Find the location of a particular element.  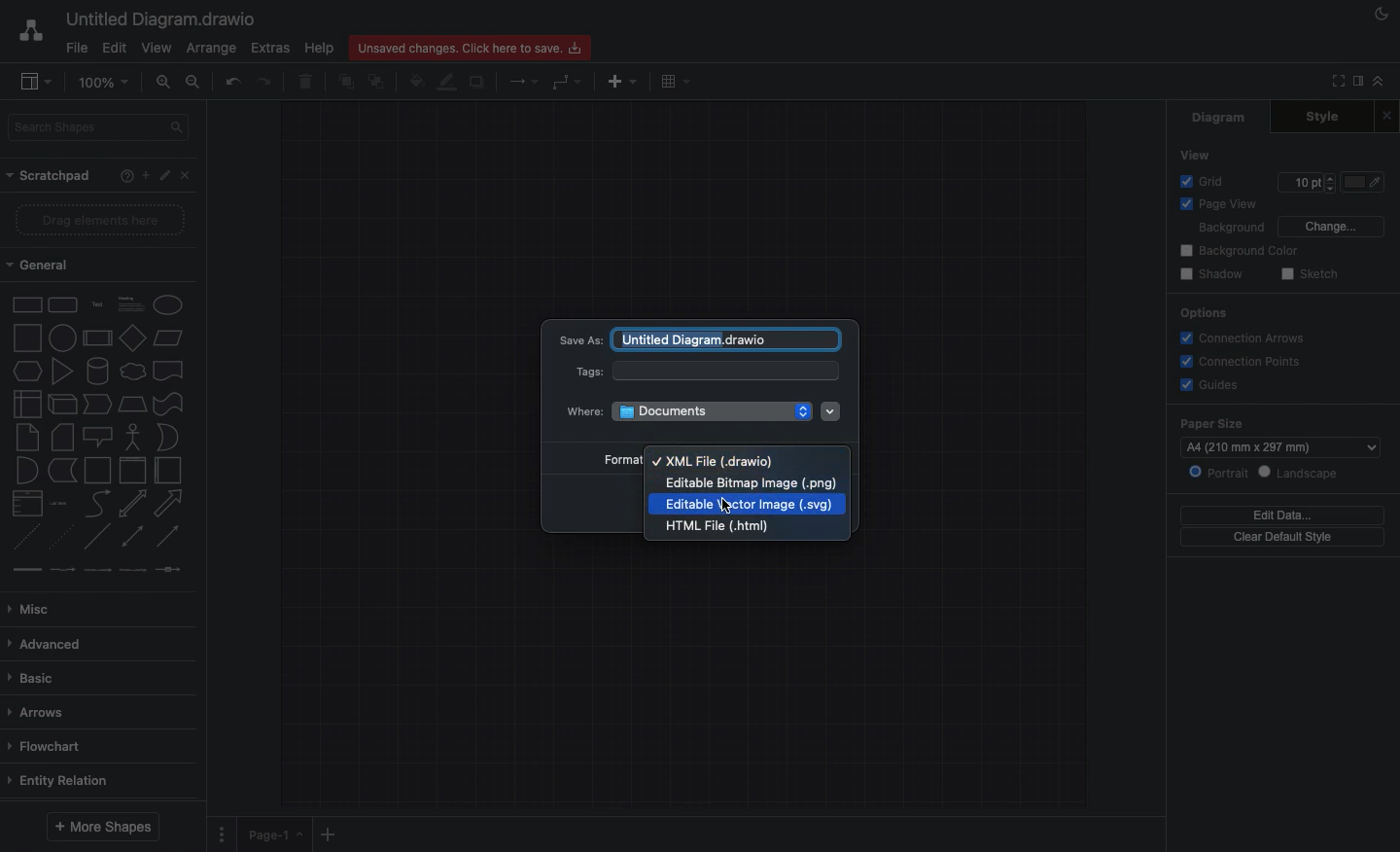

Guides is located at coordinates (1208, 386).